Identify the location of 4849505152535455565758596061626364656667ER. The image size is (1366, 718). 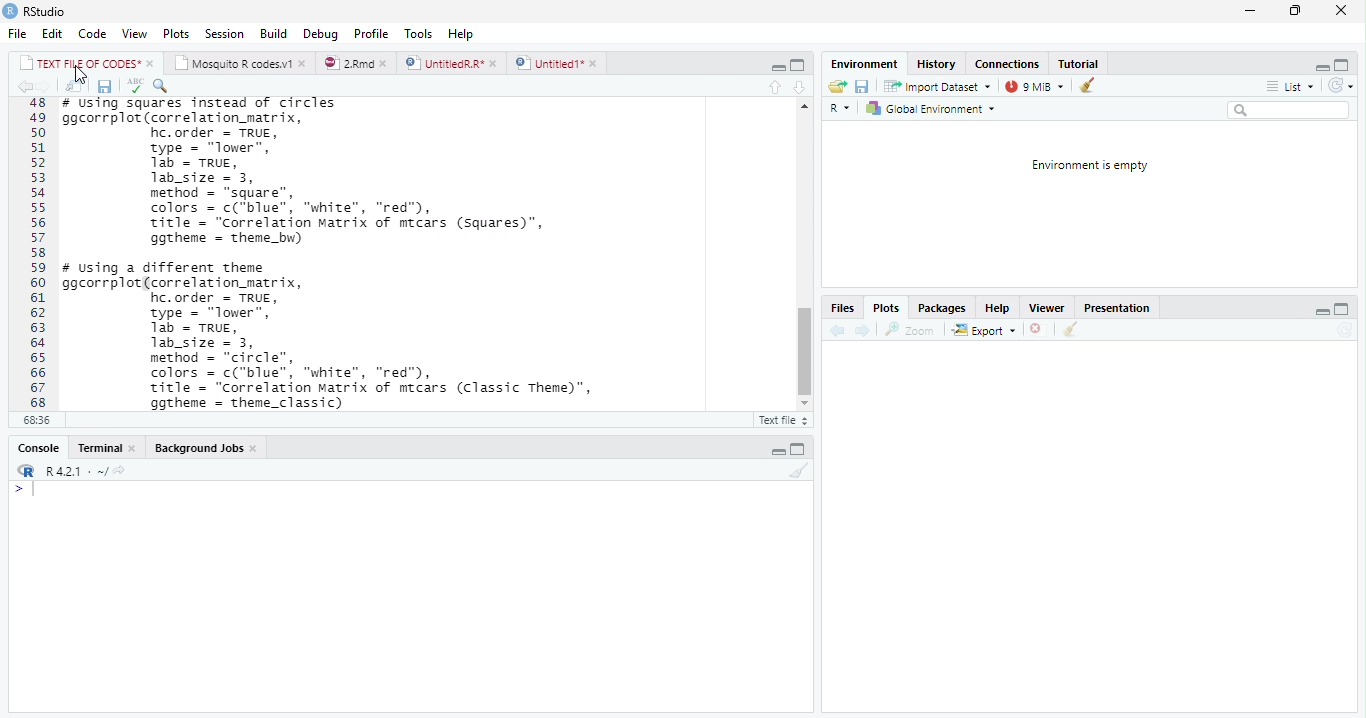
(35, 253).